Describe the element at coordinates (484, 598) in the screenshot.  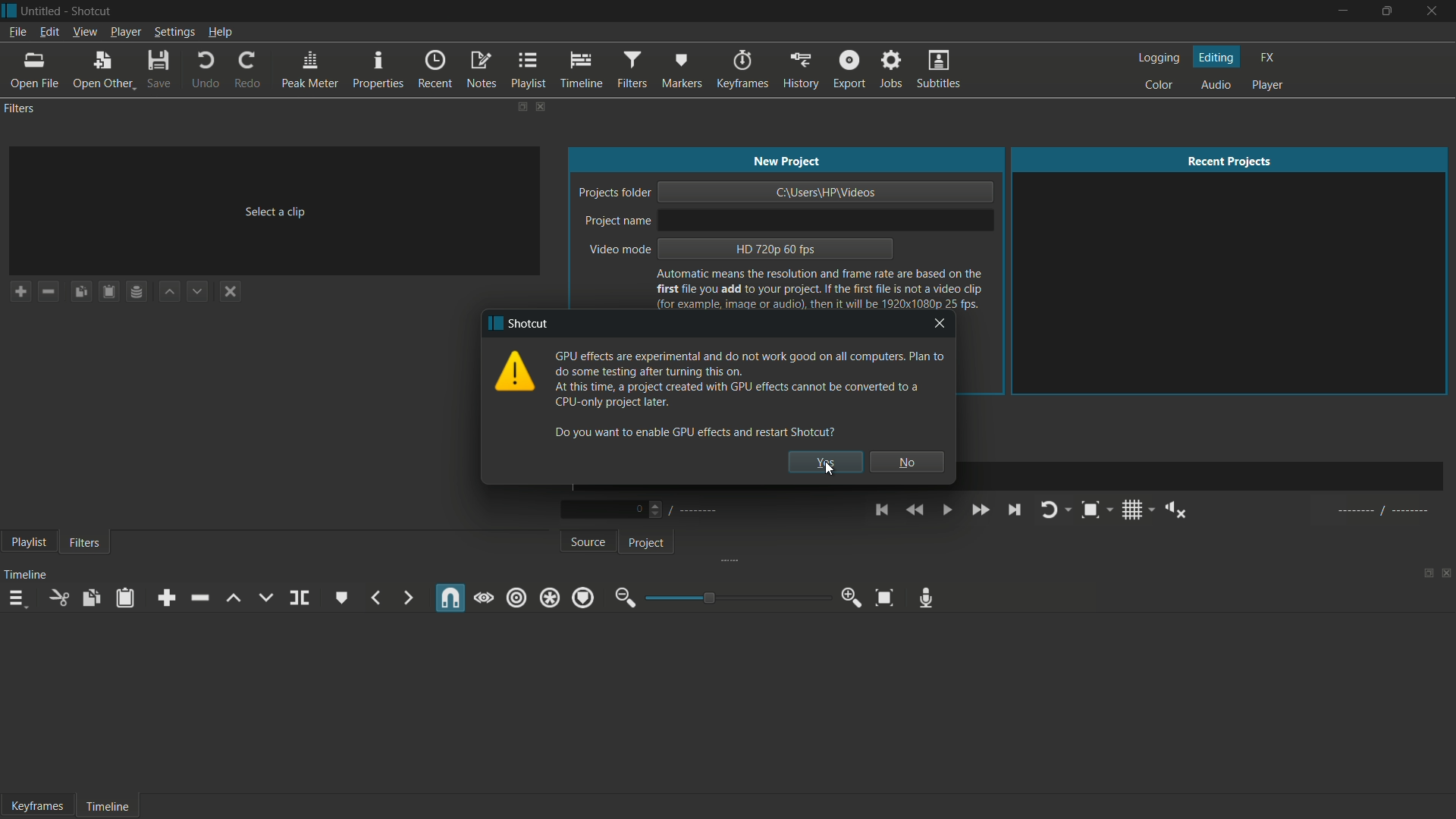
I see `scrub while dragging` at that location.